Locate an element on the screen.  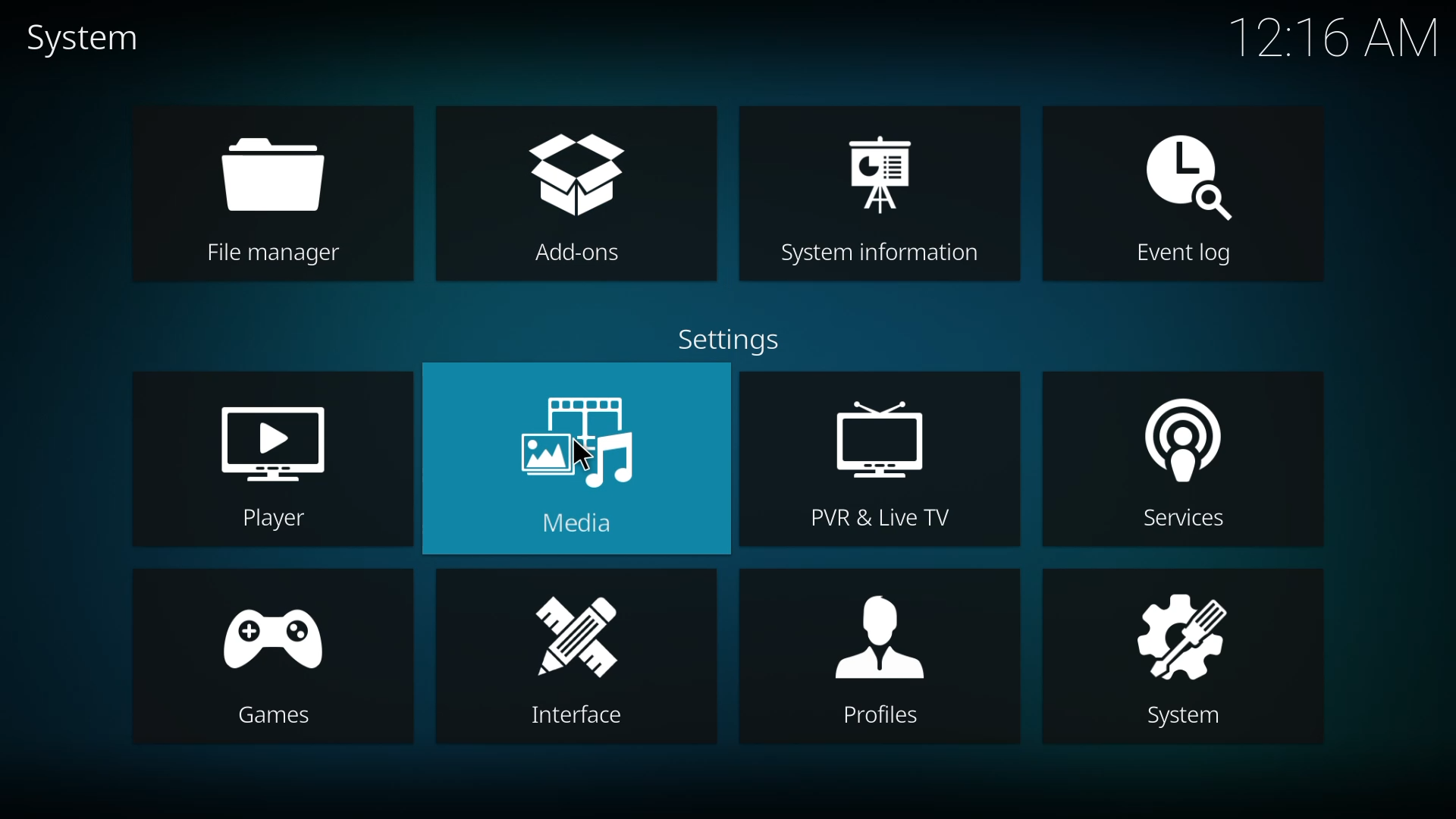
cursor is located at coordinates (587, 453).